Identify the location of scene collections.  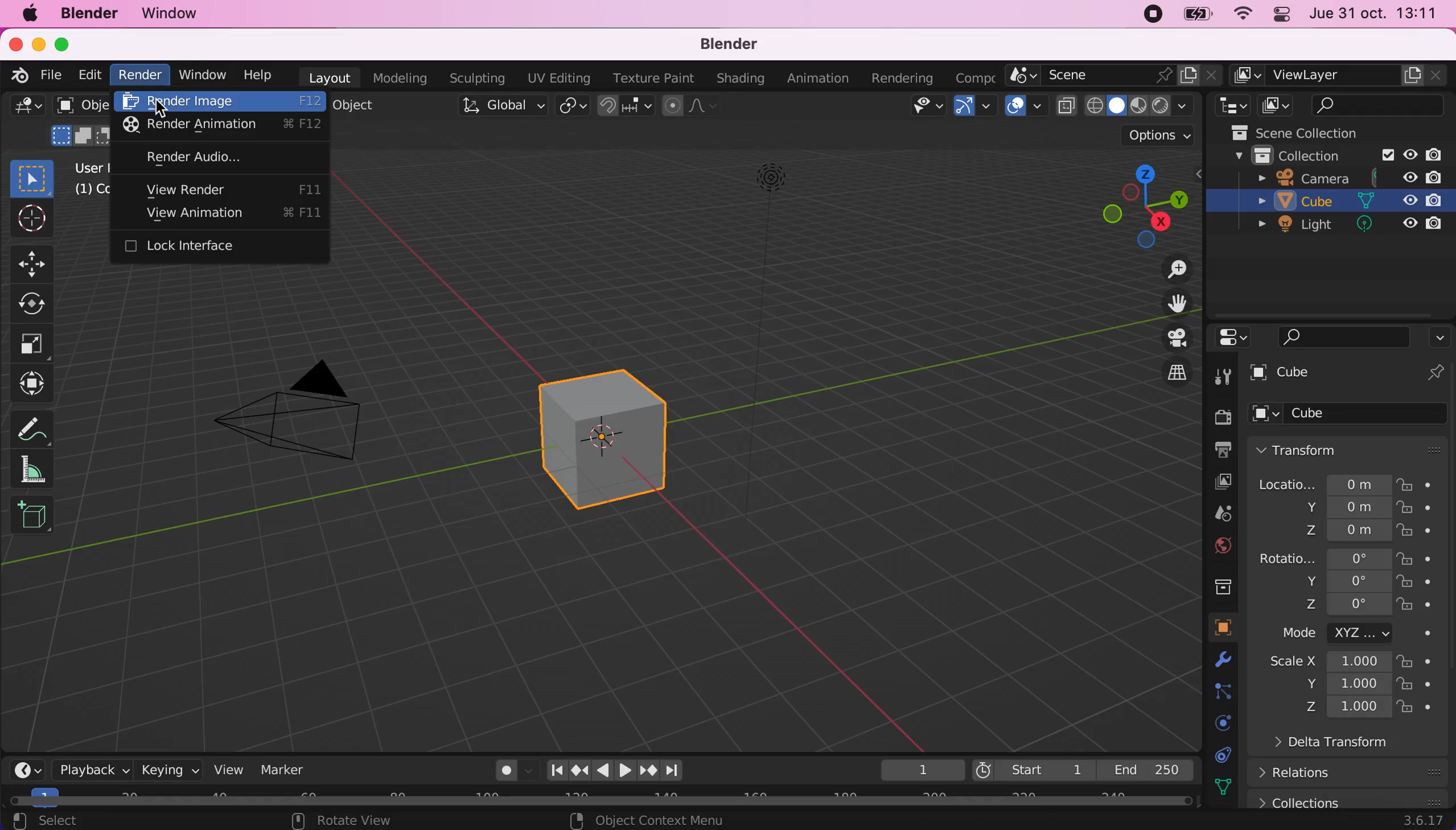
(1316, 131).